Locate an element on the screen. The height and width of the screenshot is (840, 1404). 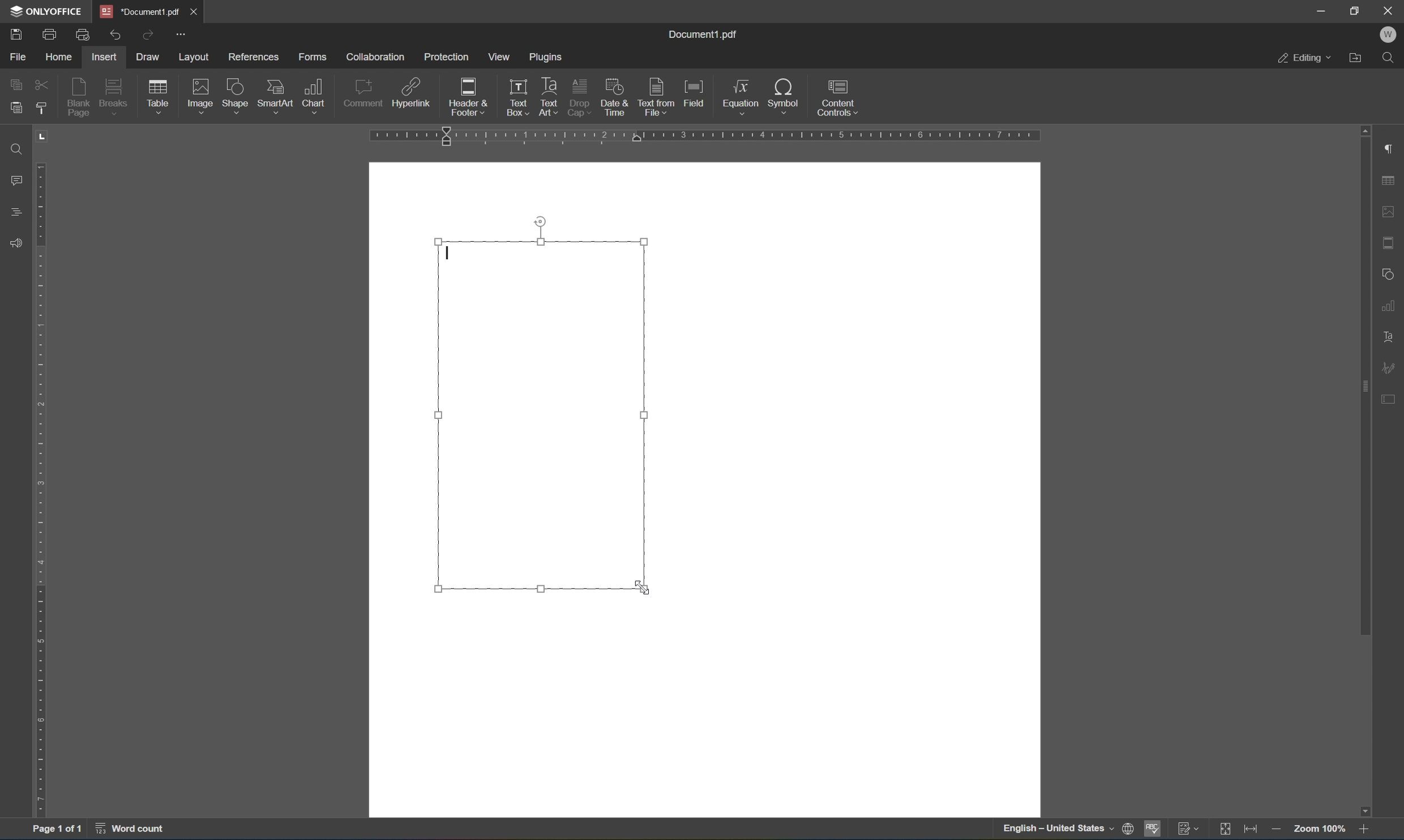
track changes is located at coordinates (1189, 830).